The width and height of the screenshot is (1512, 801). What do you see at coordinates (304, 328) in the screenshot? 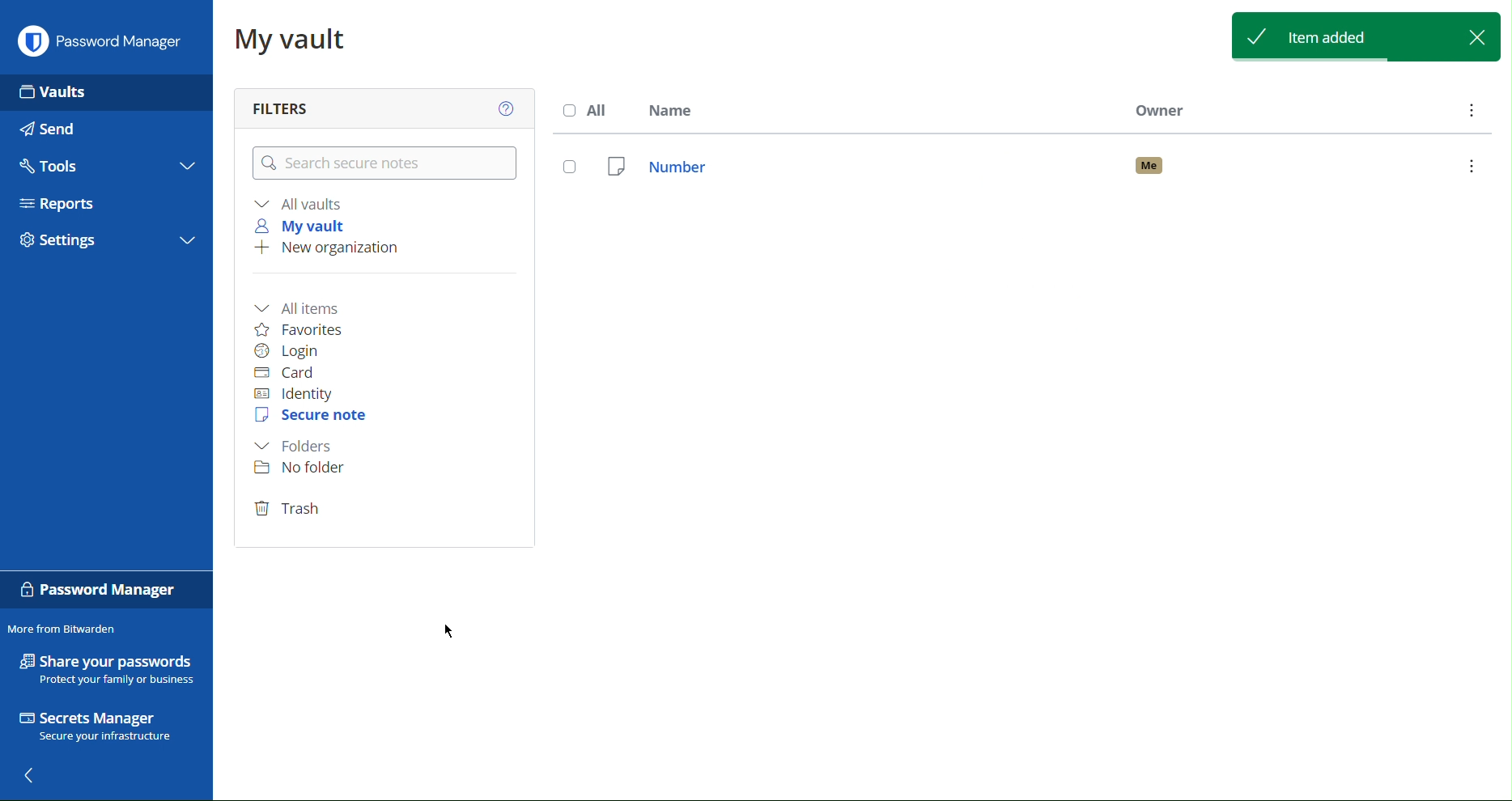
I see `Favorites` at bounding box center [304, 328].